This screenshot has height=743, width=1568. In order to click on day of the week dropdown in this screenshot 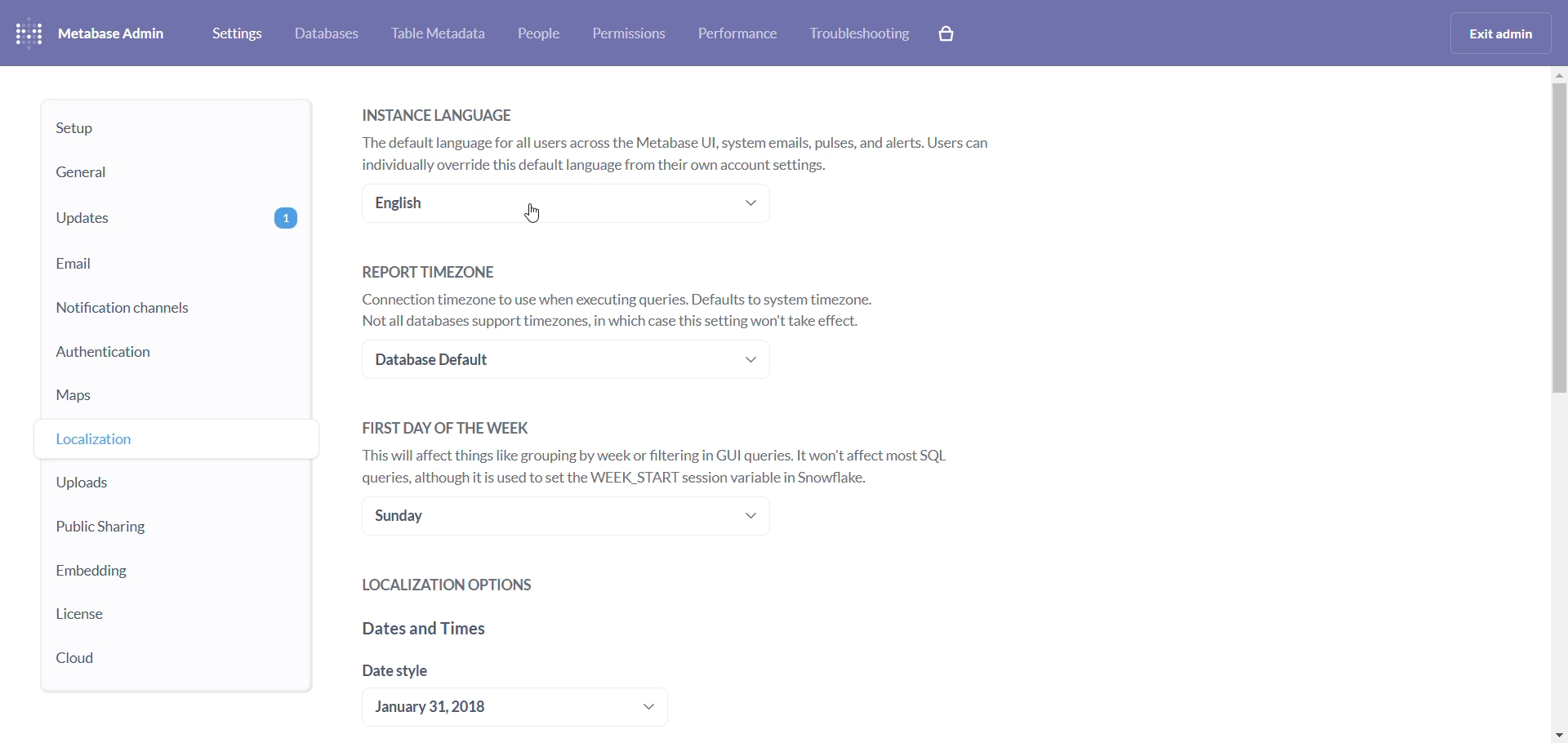, I will do `click(569, 515)`.